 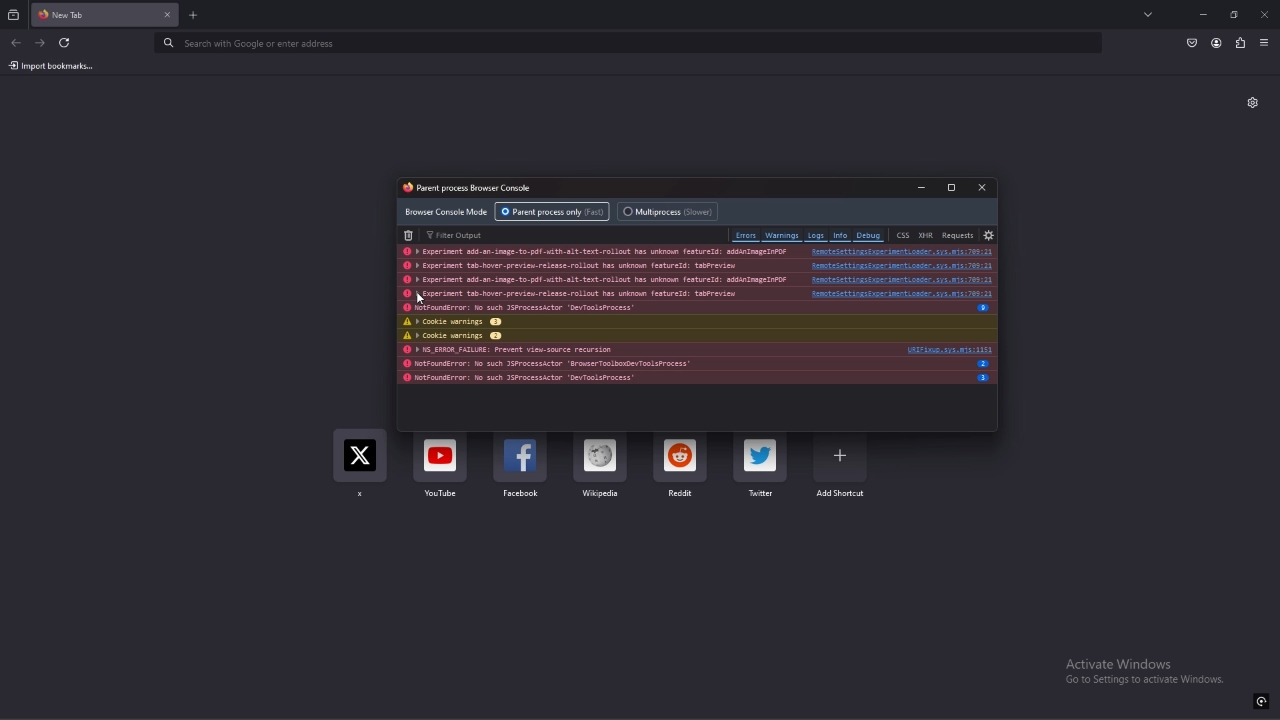 What do you see at coordinates (410, 235) in the screenshot?
I see `delete` at bounding box center [410, 235].